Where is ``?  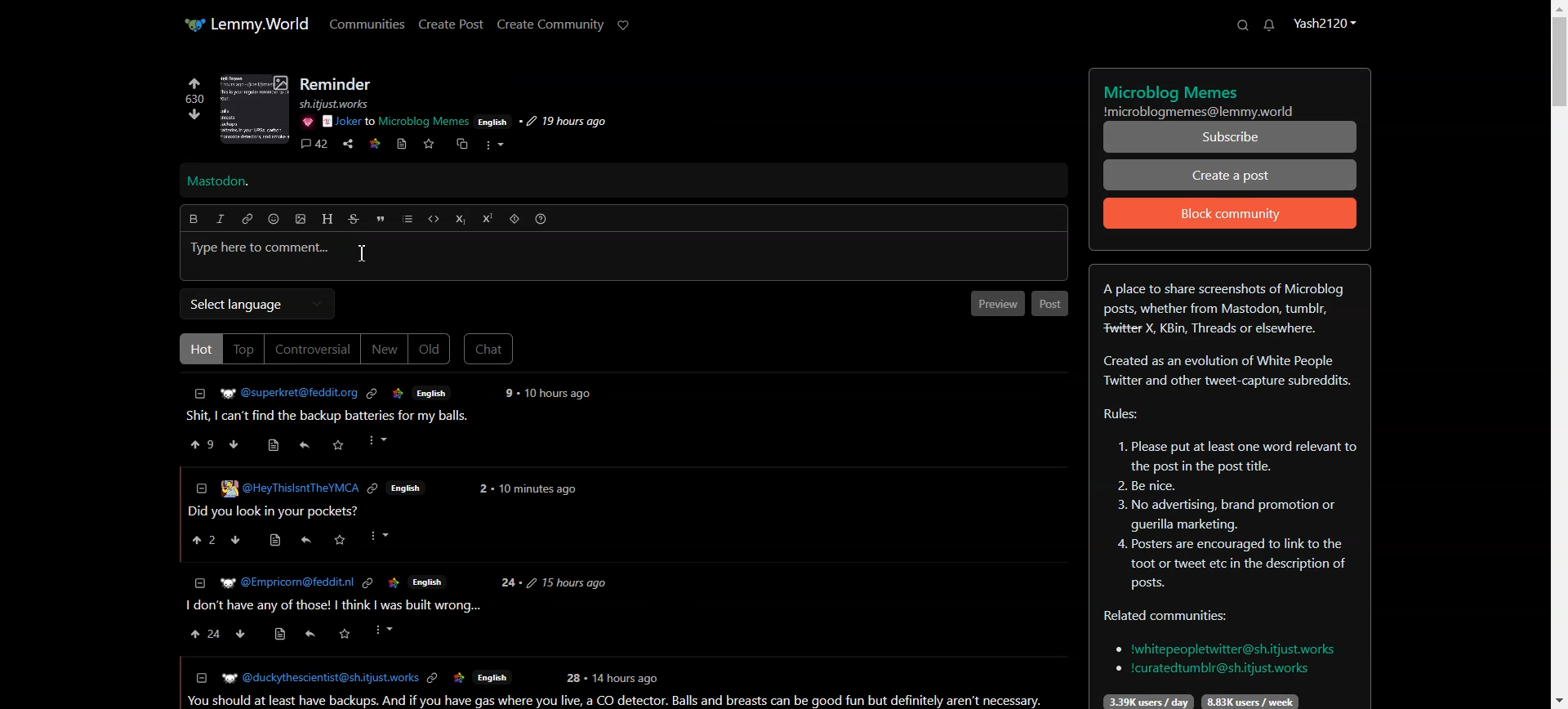
 is located at coordinates (306, 122).